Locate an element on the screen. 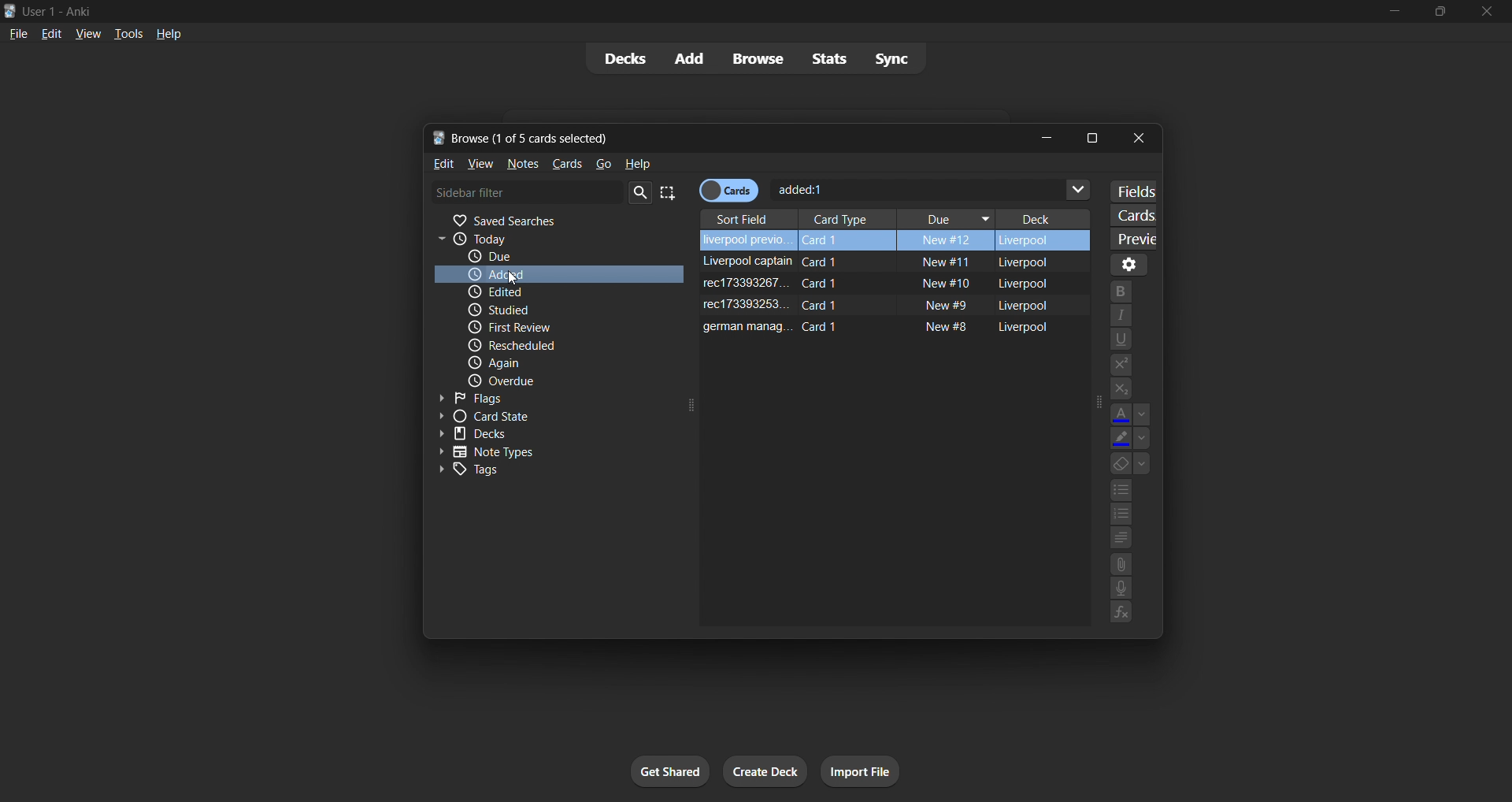 The height and width of the screenshot is (802, 1512). close is located at coordinates (1137, 138).